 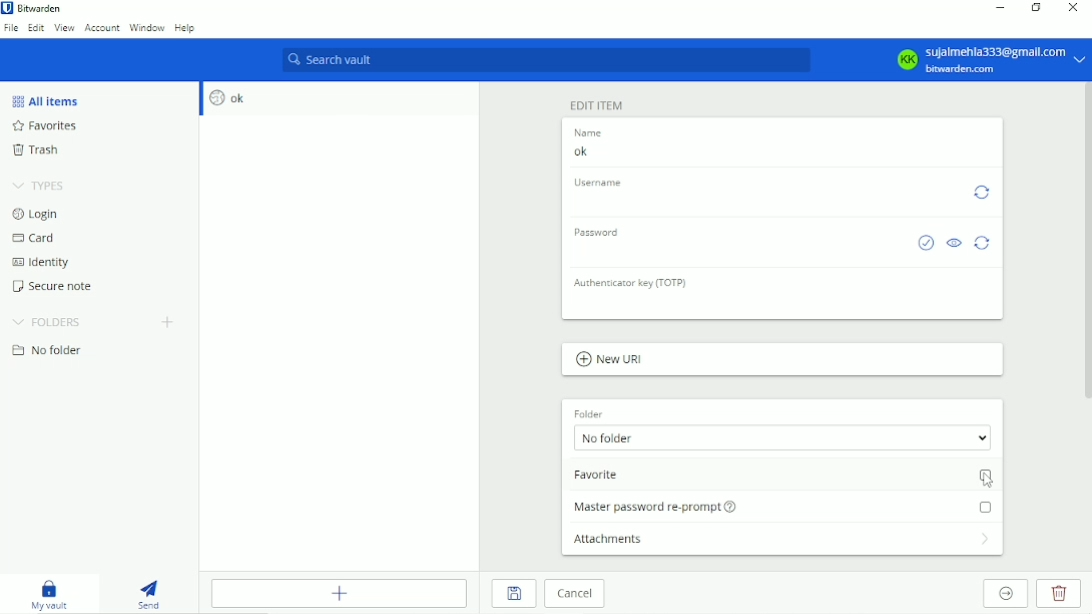 I want to click on Trash, so click(x=40, y=149).